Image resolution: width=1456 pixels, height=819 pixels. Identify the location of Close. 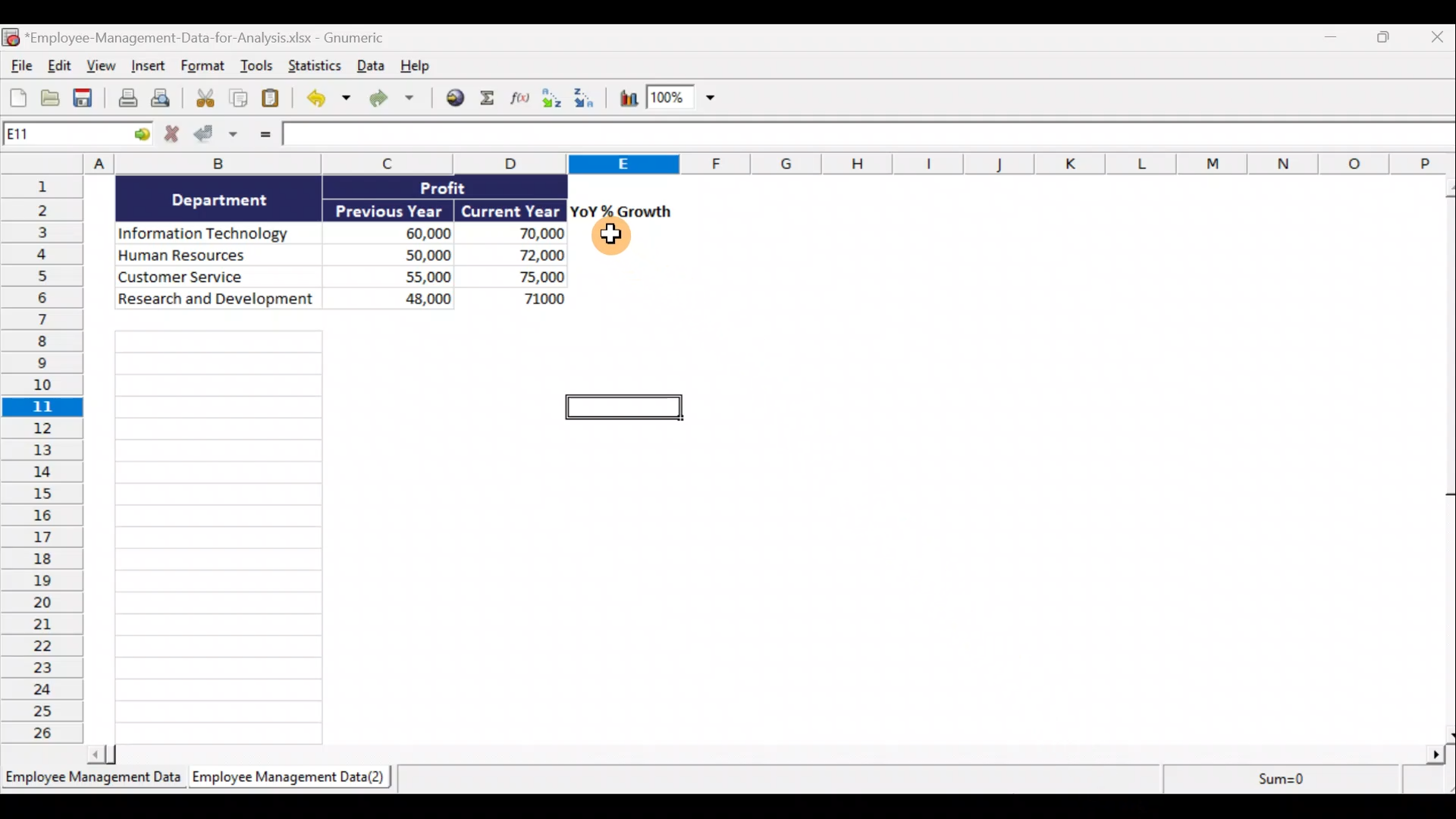
(1437, 36).